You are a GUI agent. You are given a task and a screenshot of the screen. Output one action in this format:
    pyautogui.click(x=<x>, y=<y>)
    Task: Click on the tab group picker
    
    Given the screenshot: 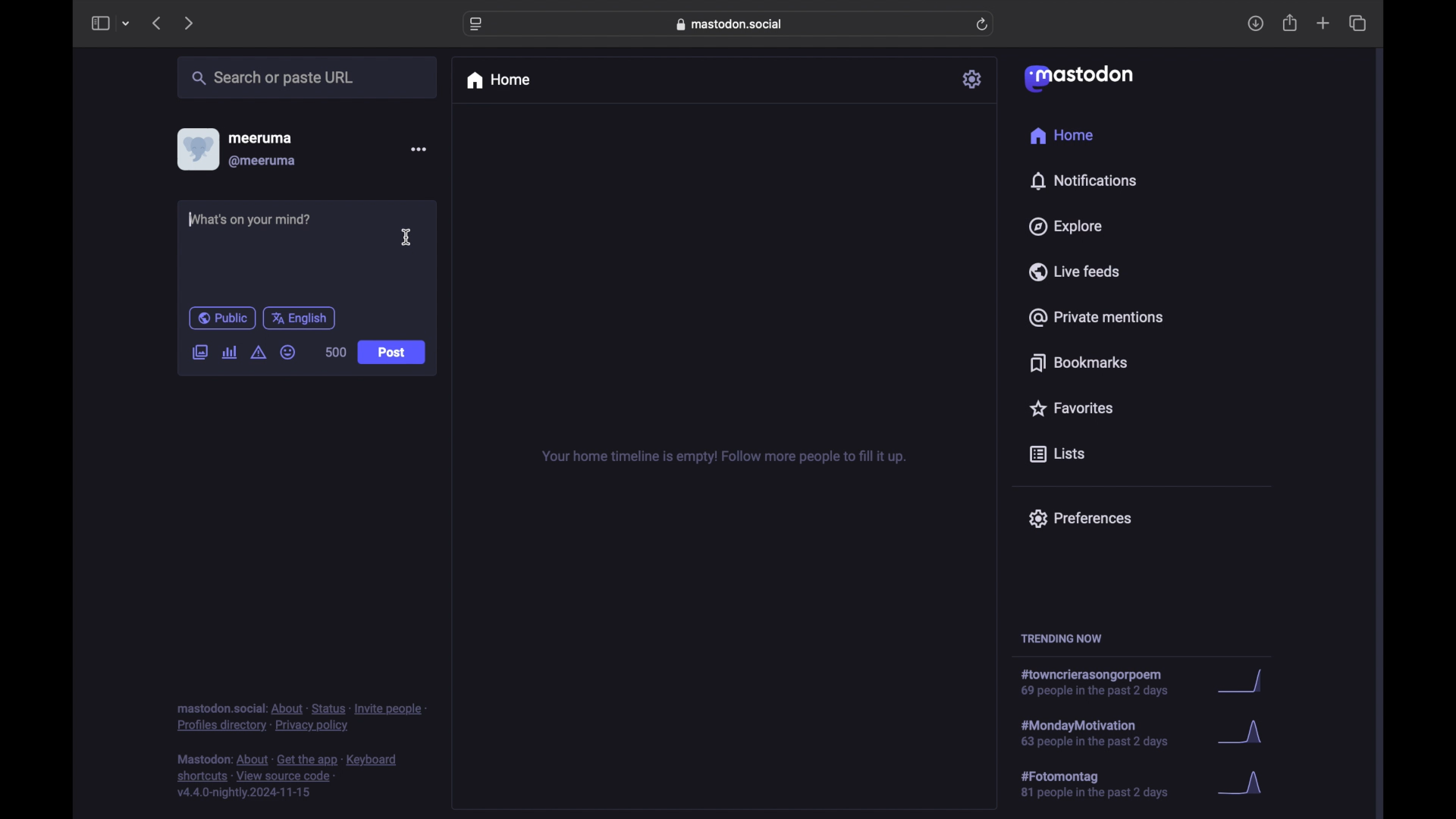 What is the action you would take?
    pyautogui.click(x=126, y=24)
    